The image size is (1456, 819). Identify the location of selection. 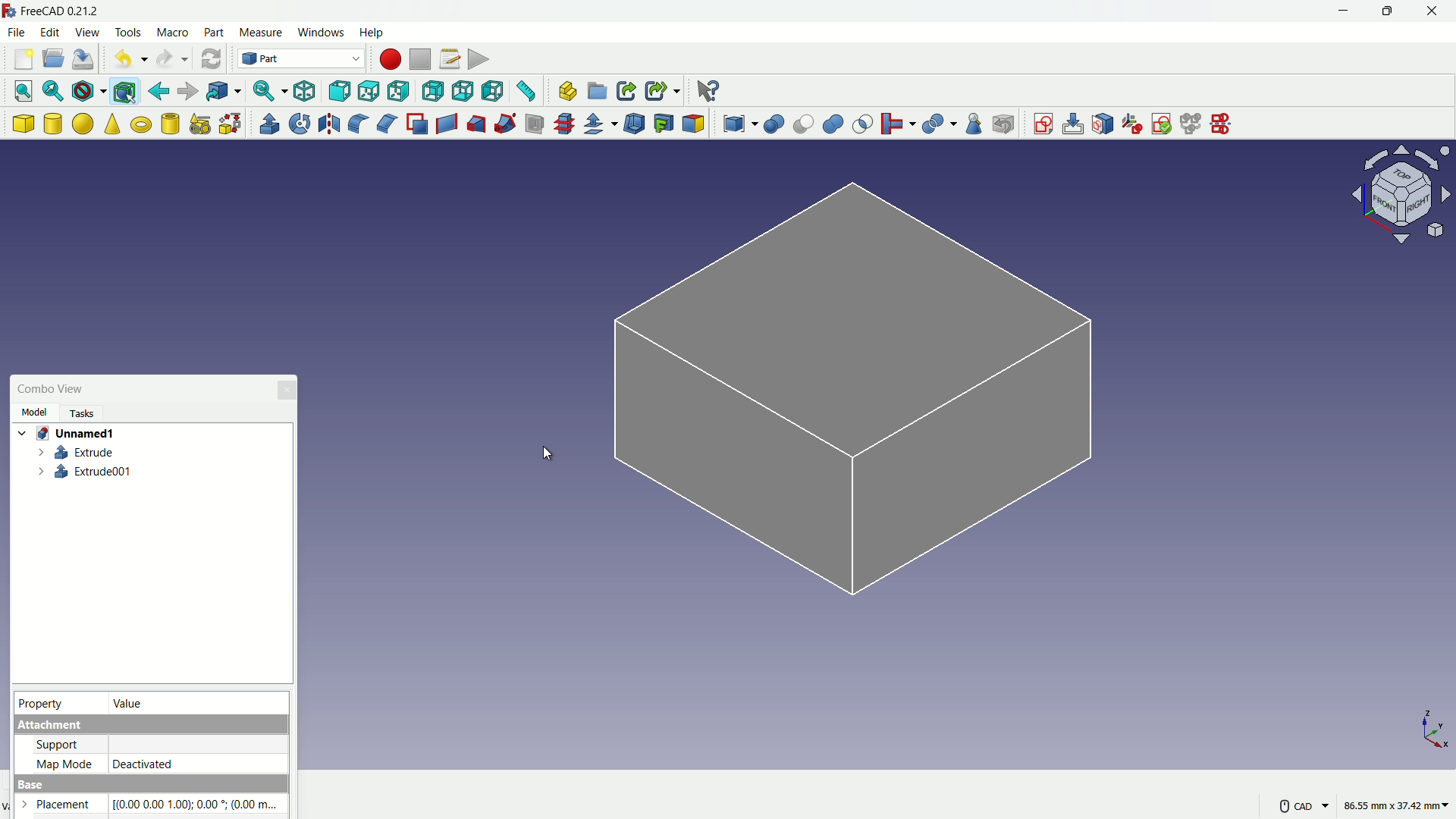
(863, 124).